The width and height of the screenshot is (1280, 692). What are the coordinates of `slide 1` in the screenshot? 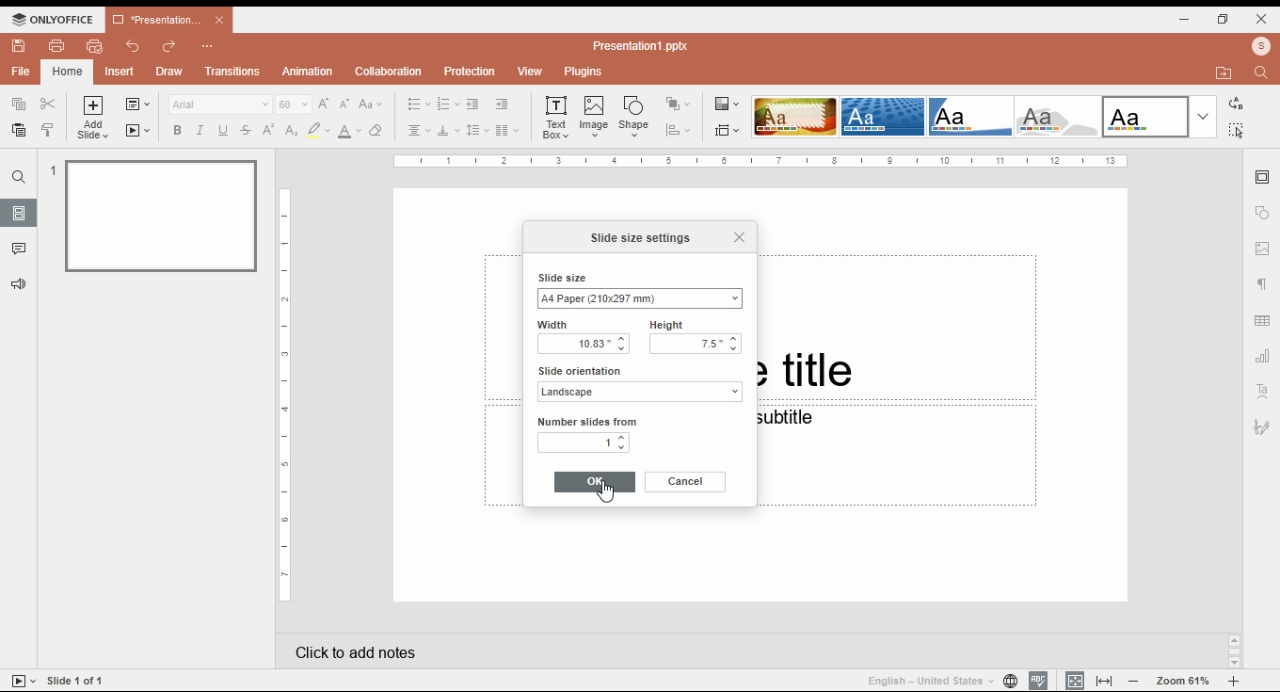 It's located at (154, 214).